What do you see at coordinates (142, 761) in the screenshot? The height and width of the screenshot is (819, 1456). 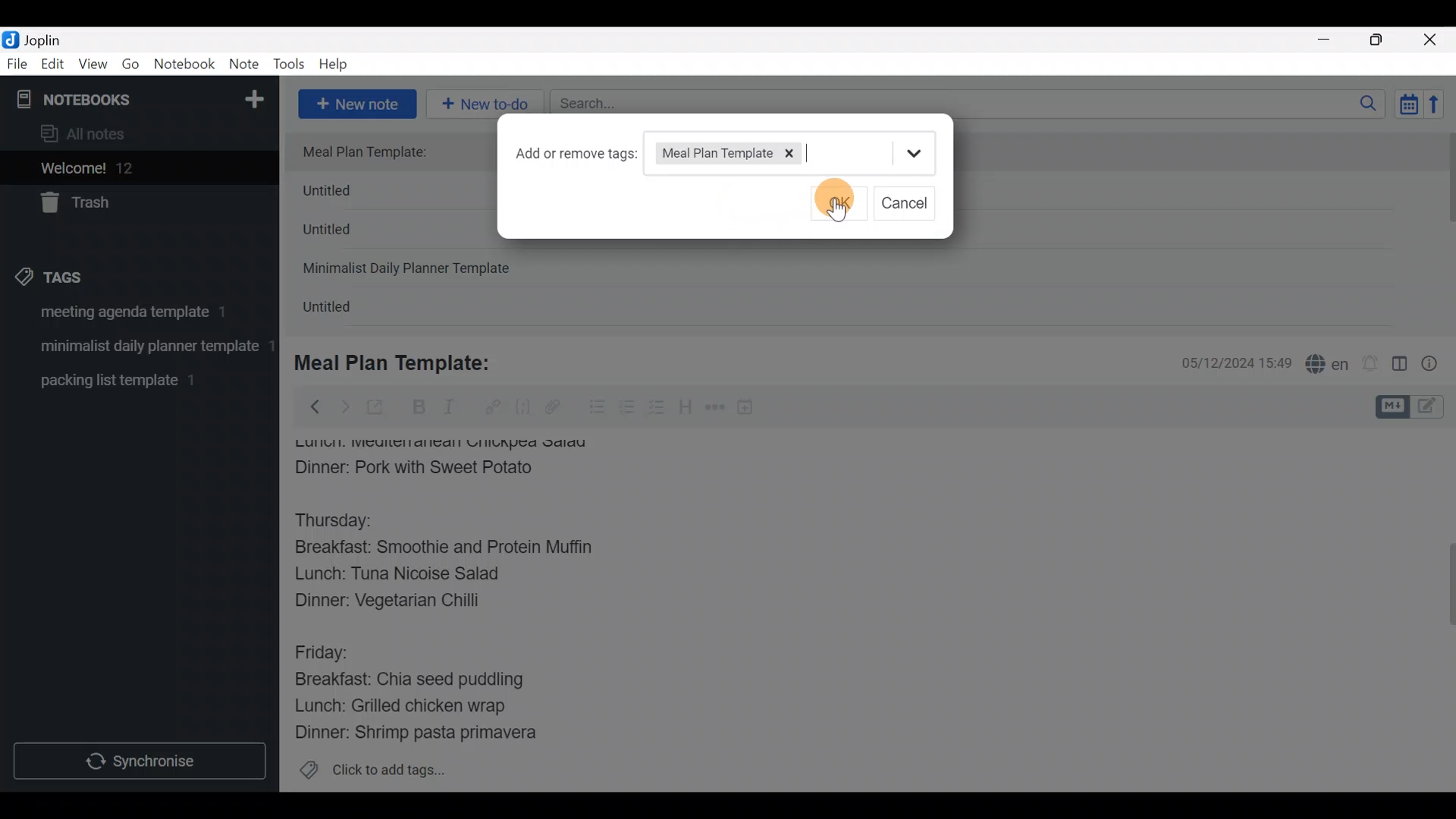 I see `Synchronize` at bounding box center [142, 761].